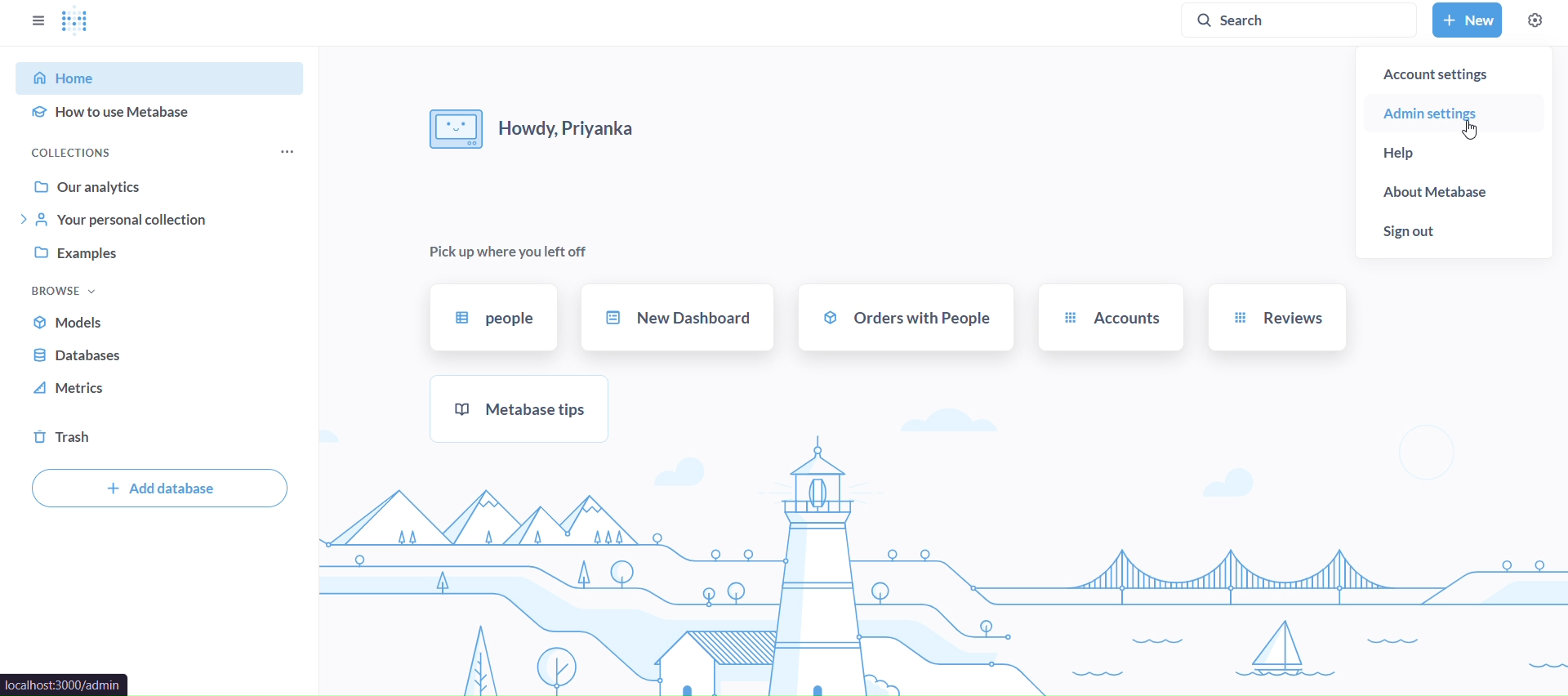 The height and width of the screenshot is (696, 1568). I want to click on browse, so click(65, 289).